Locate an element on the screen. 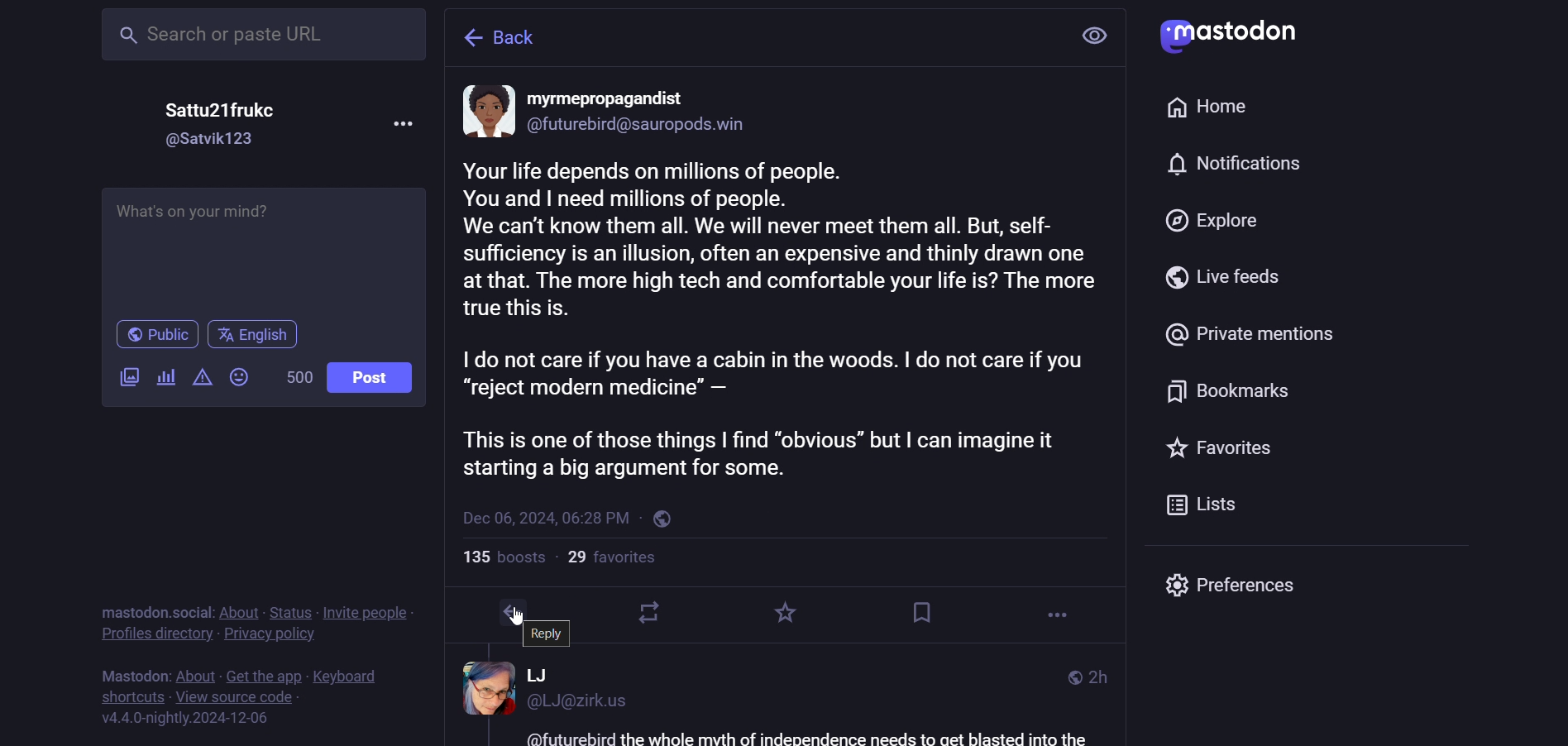 The width and height of the screenshot is (1568, 746). about is located at coordinates (198, 677).